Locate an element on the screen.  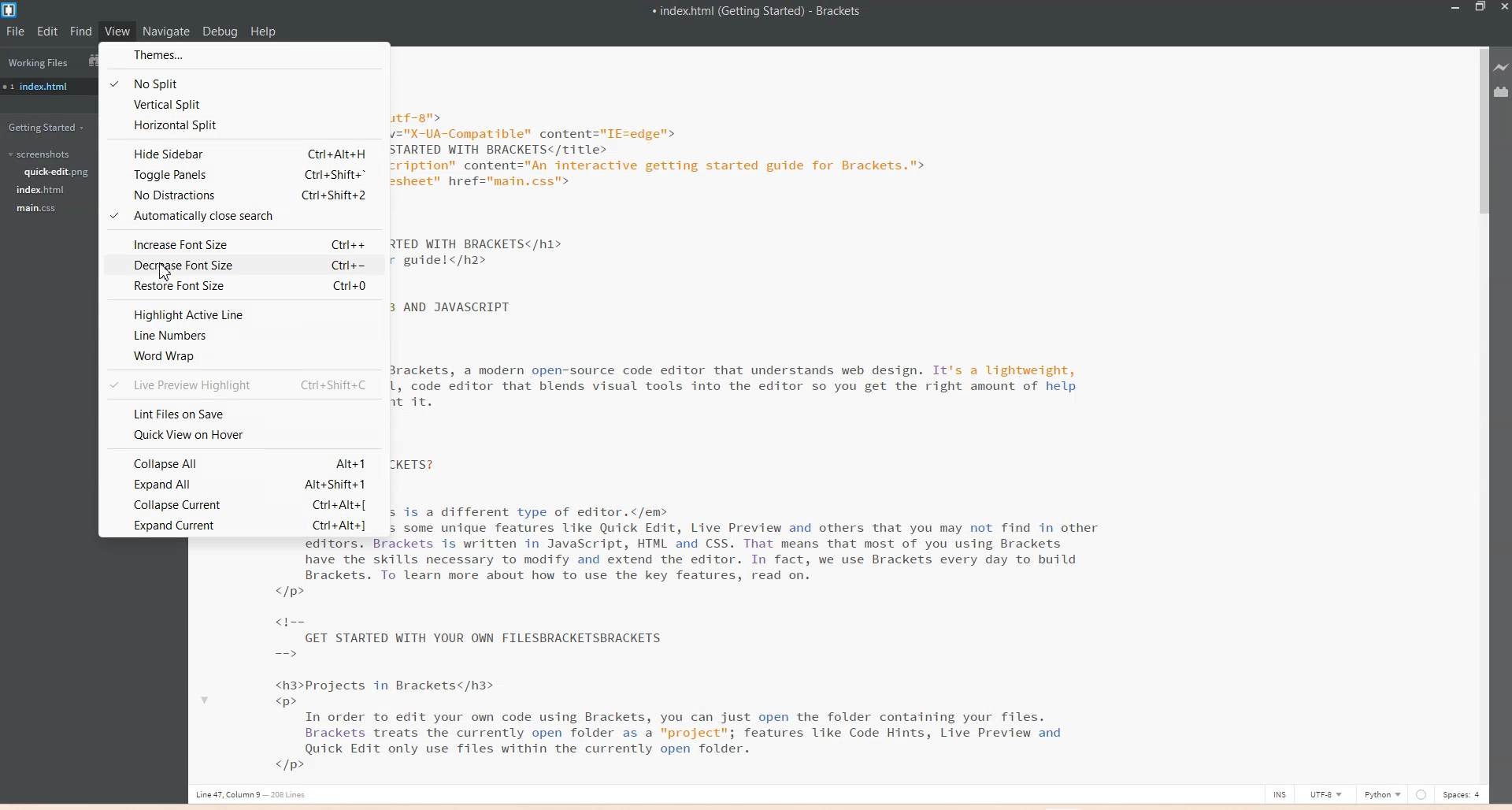
Logo is located at coordinates (10, 11).